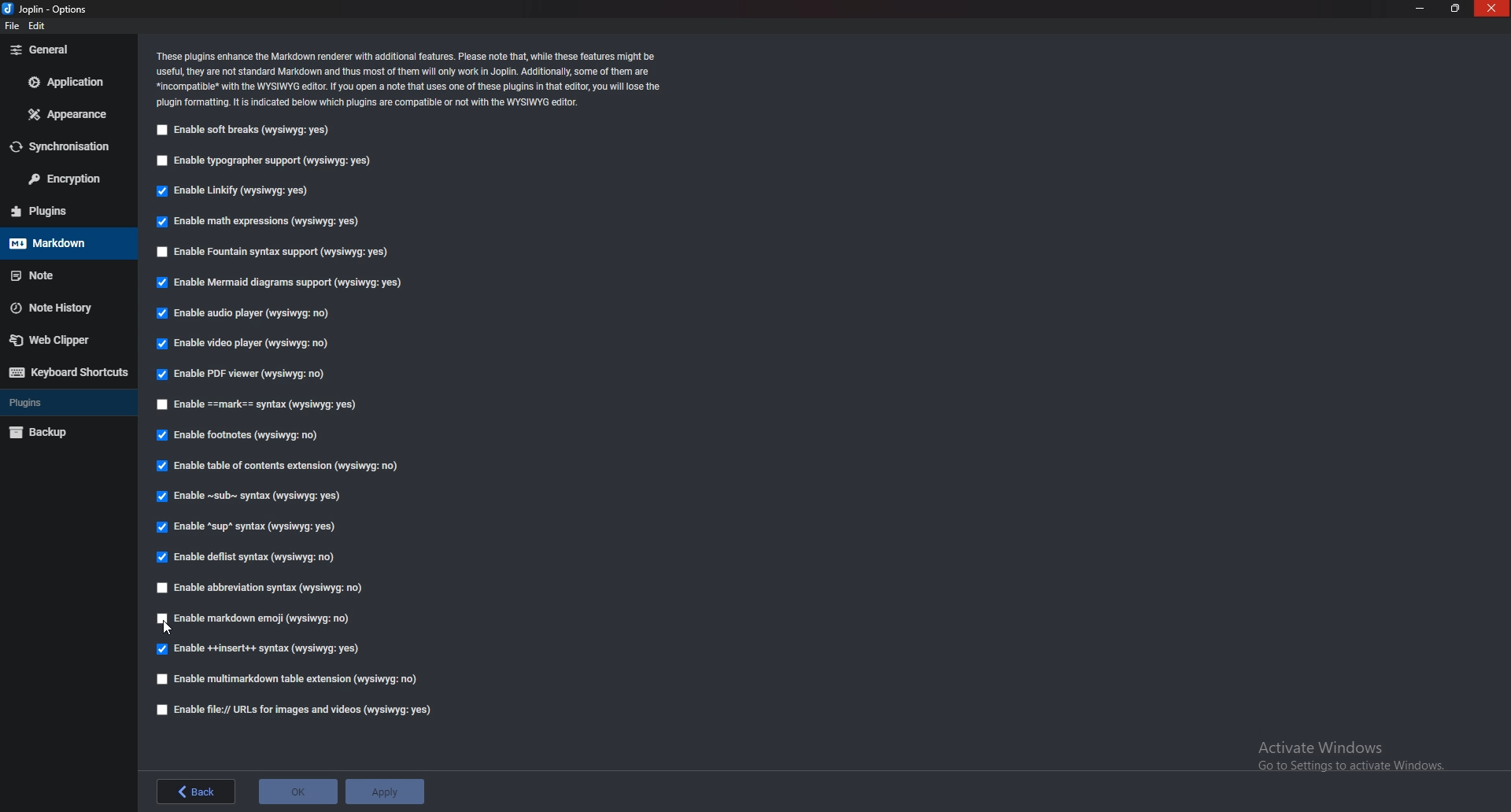  Describe the element at coordinates (294, 678) in the screenshot. I see `Enable multi markdown table extension` at that location.